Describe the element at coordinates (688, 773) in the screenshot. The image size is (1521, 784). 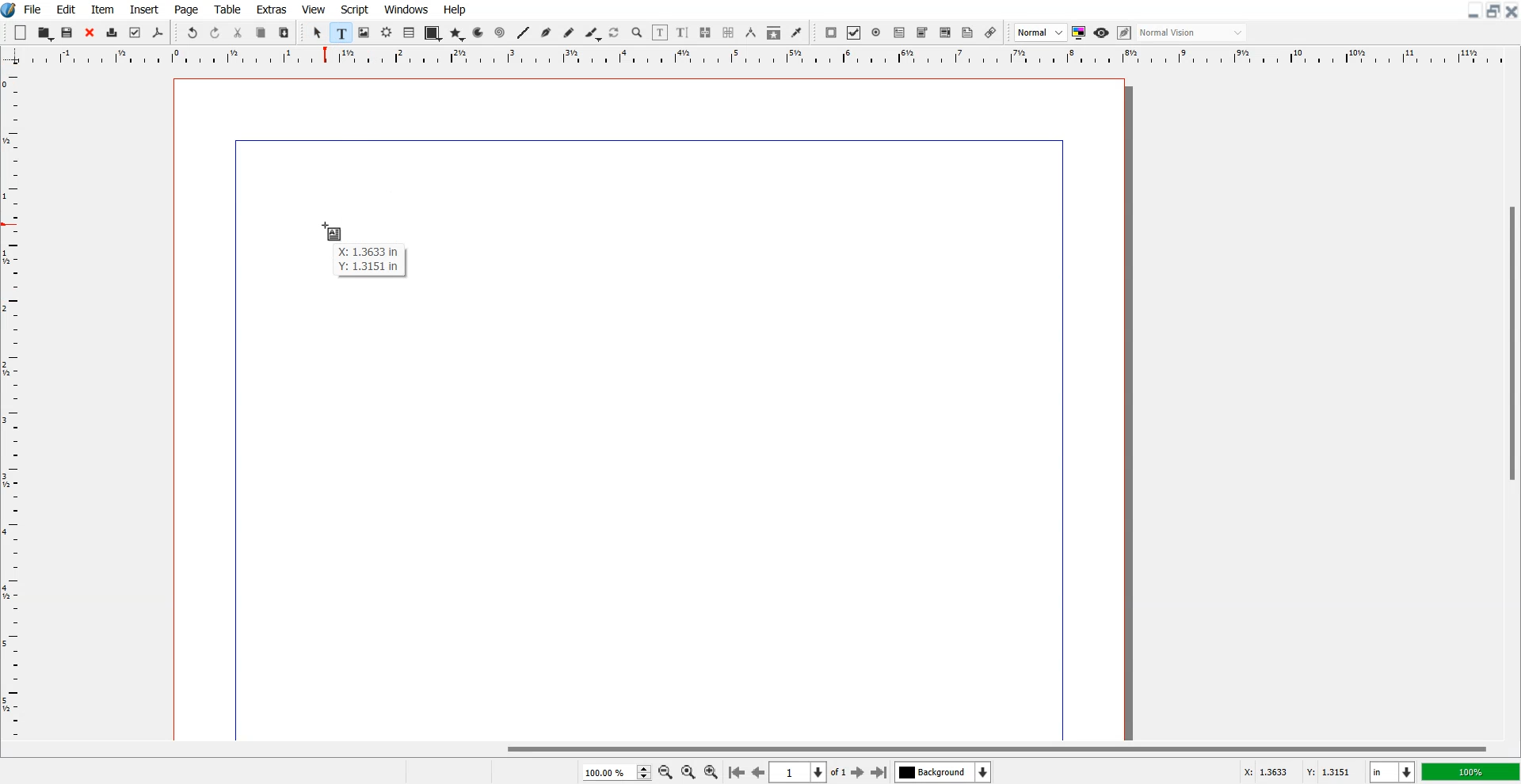
I see `Zoom to 100%` at that location.